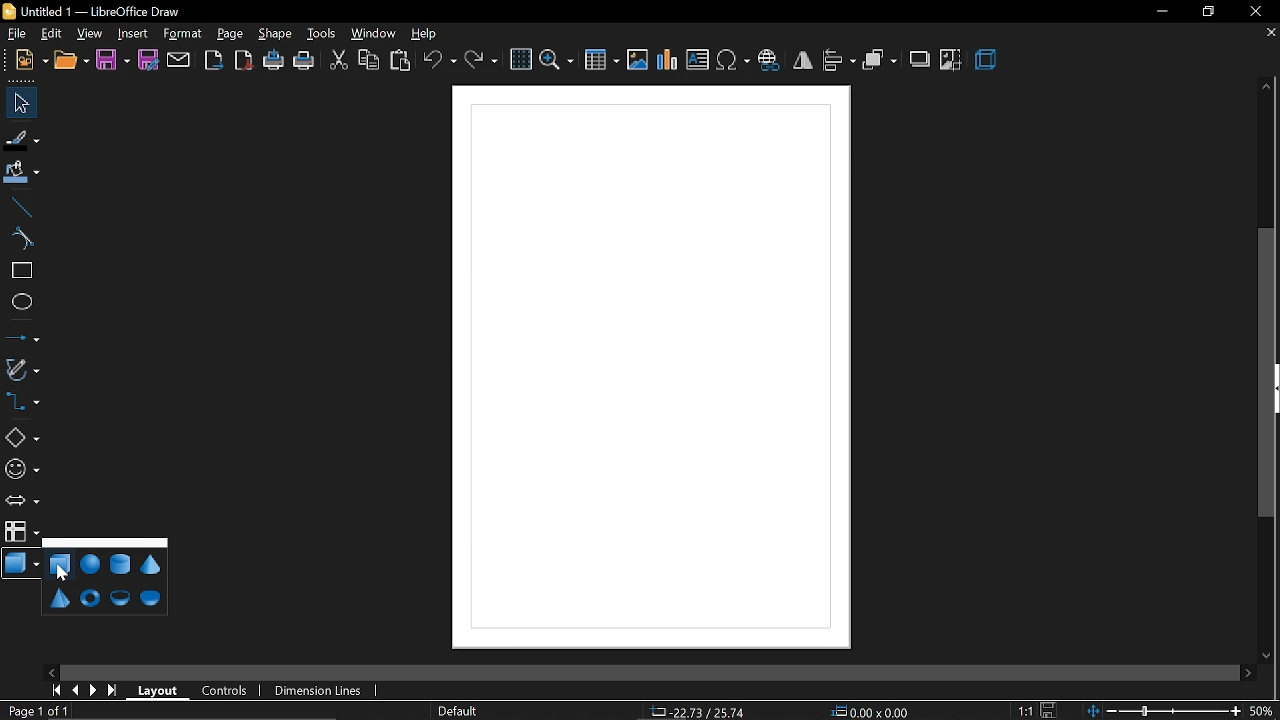 The width and height of the screenshot is (1280, 720). I want to click on curves and polygons, so click(22, 371).